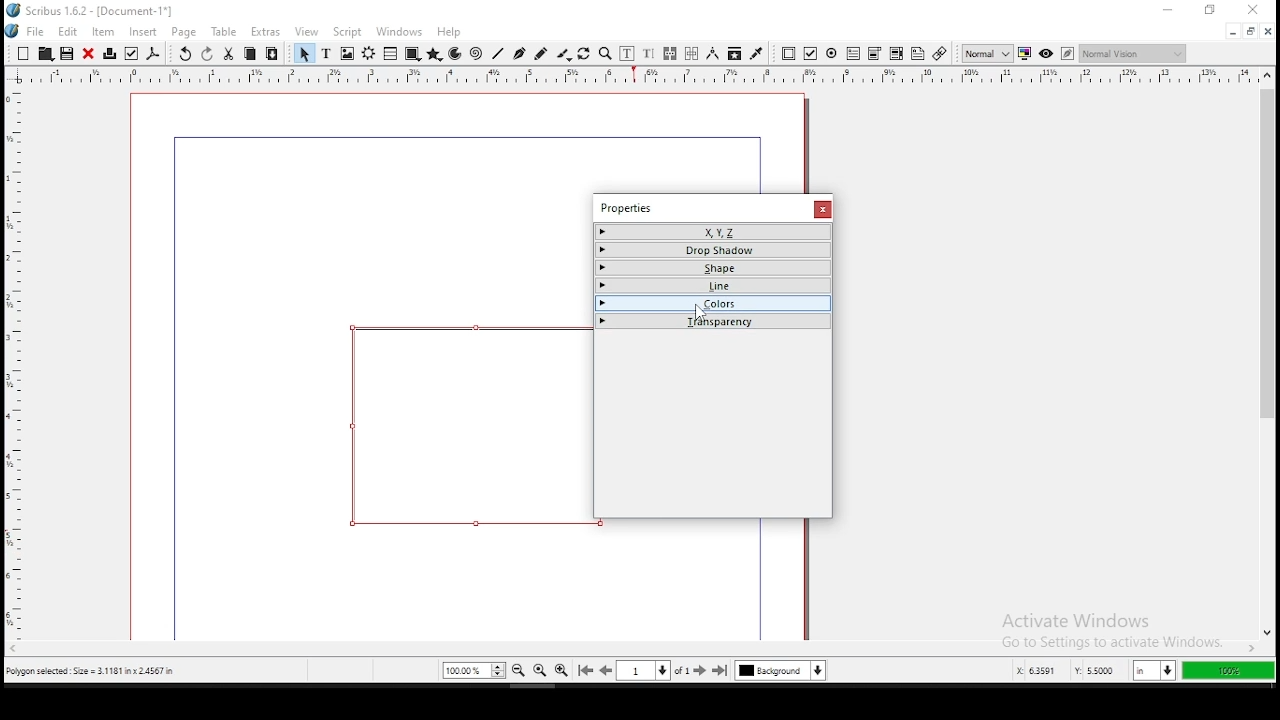 The width and height of the screenshot is (1280, 720). Describe the element at coordinates (810, 54) in the screenshot. I see `pdf checkbox` at that location.